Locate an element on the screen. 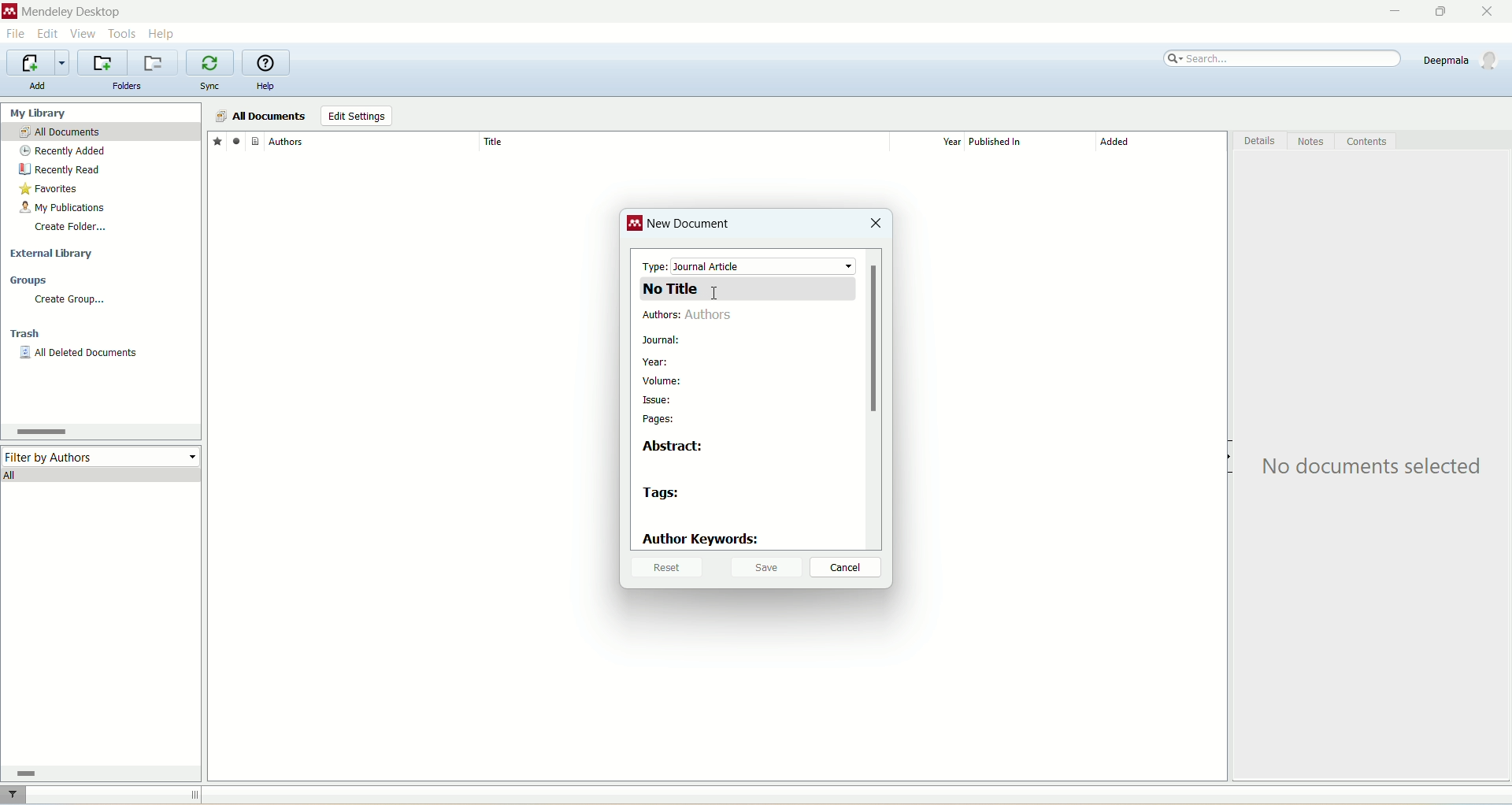 The width and height of the screenshot is (1512, 805). filter is located at coordinates (15, 795).